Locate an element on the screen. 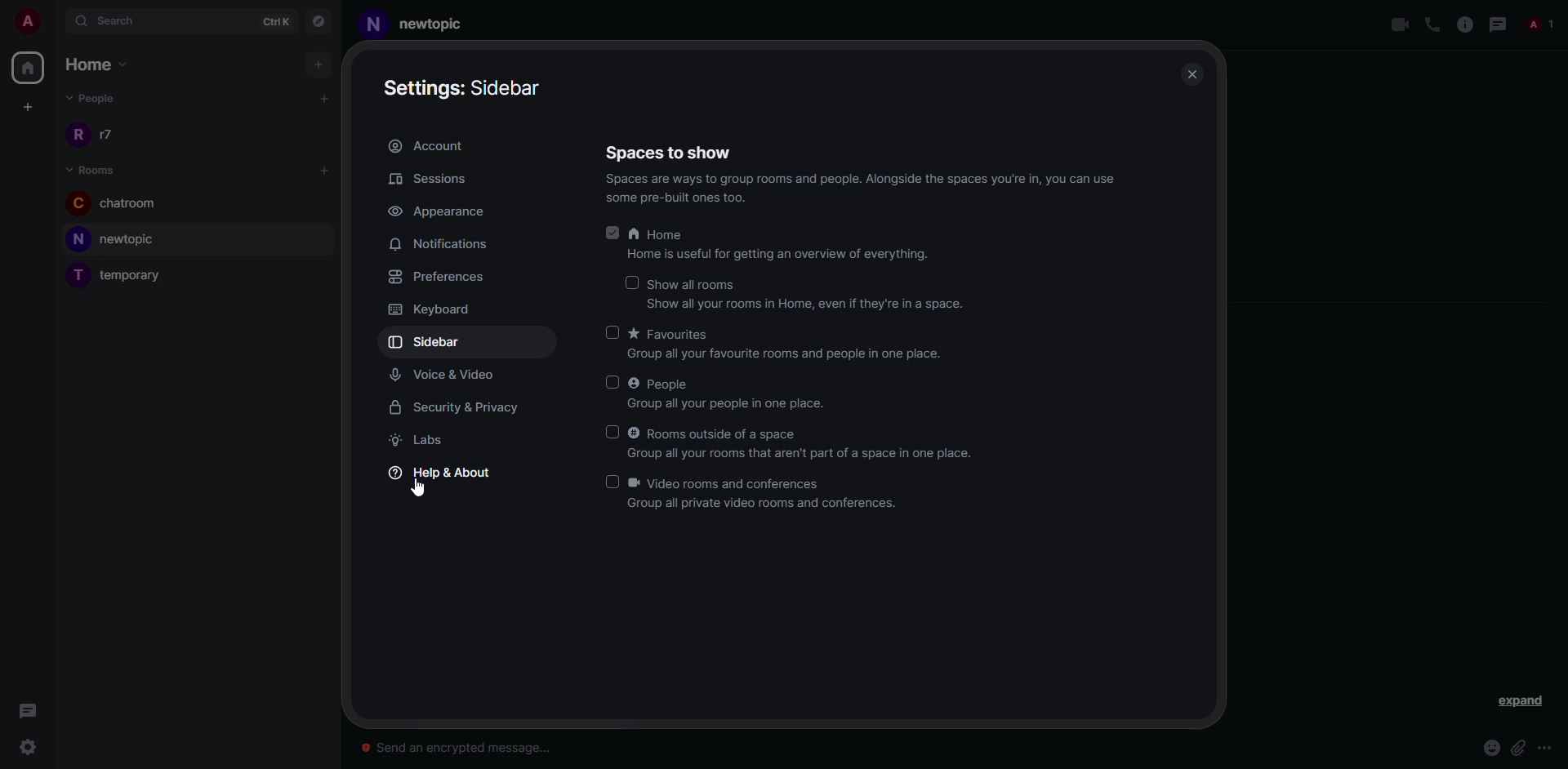 This screenshot has height=769, width=1568. favorites is located at coordinates (672, 334).